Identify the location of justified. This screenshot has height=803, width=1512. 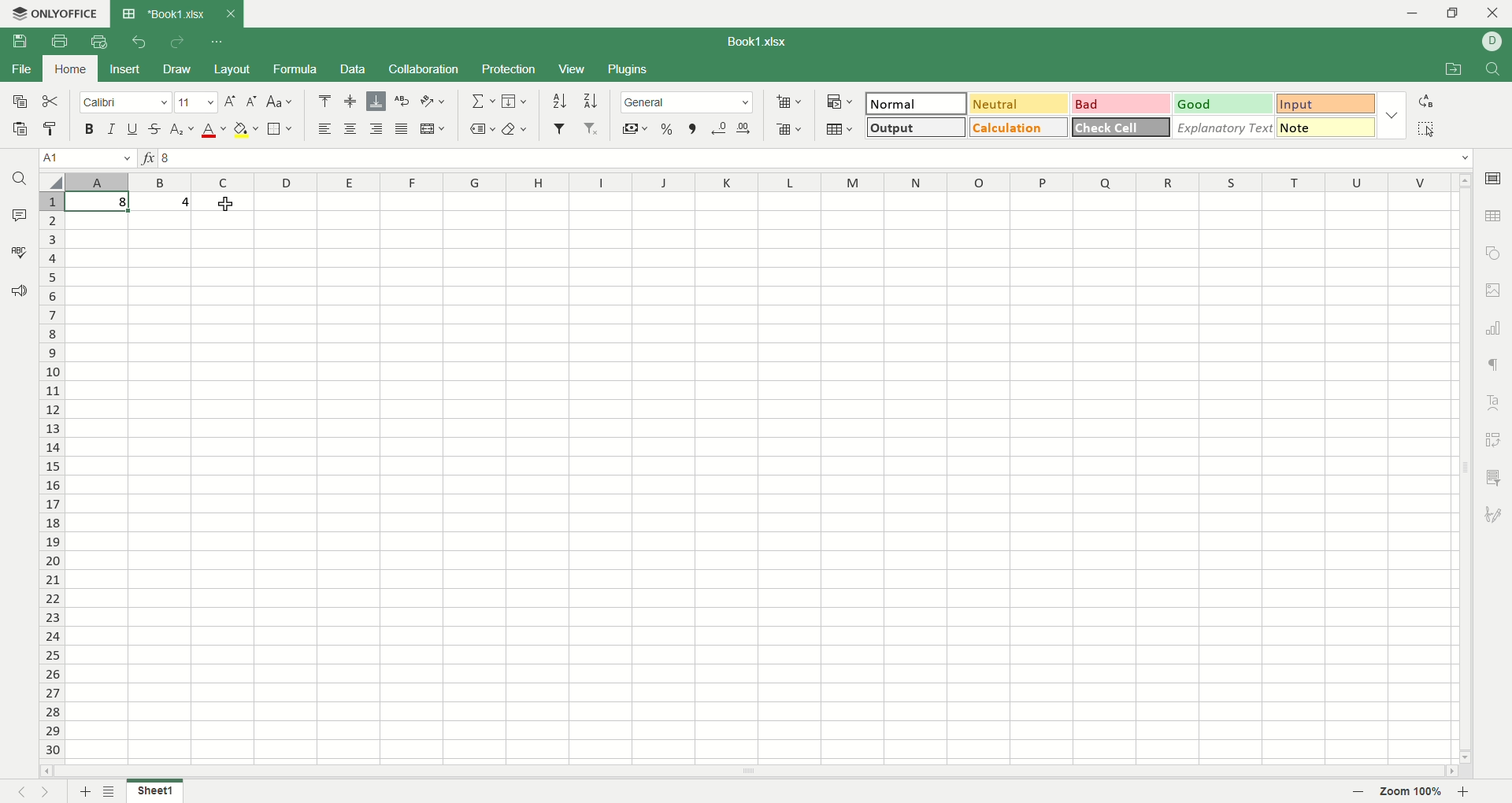
(403, 129).